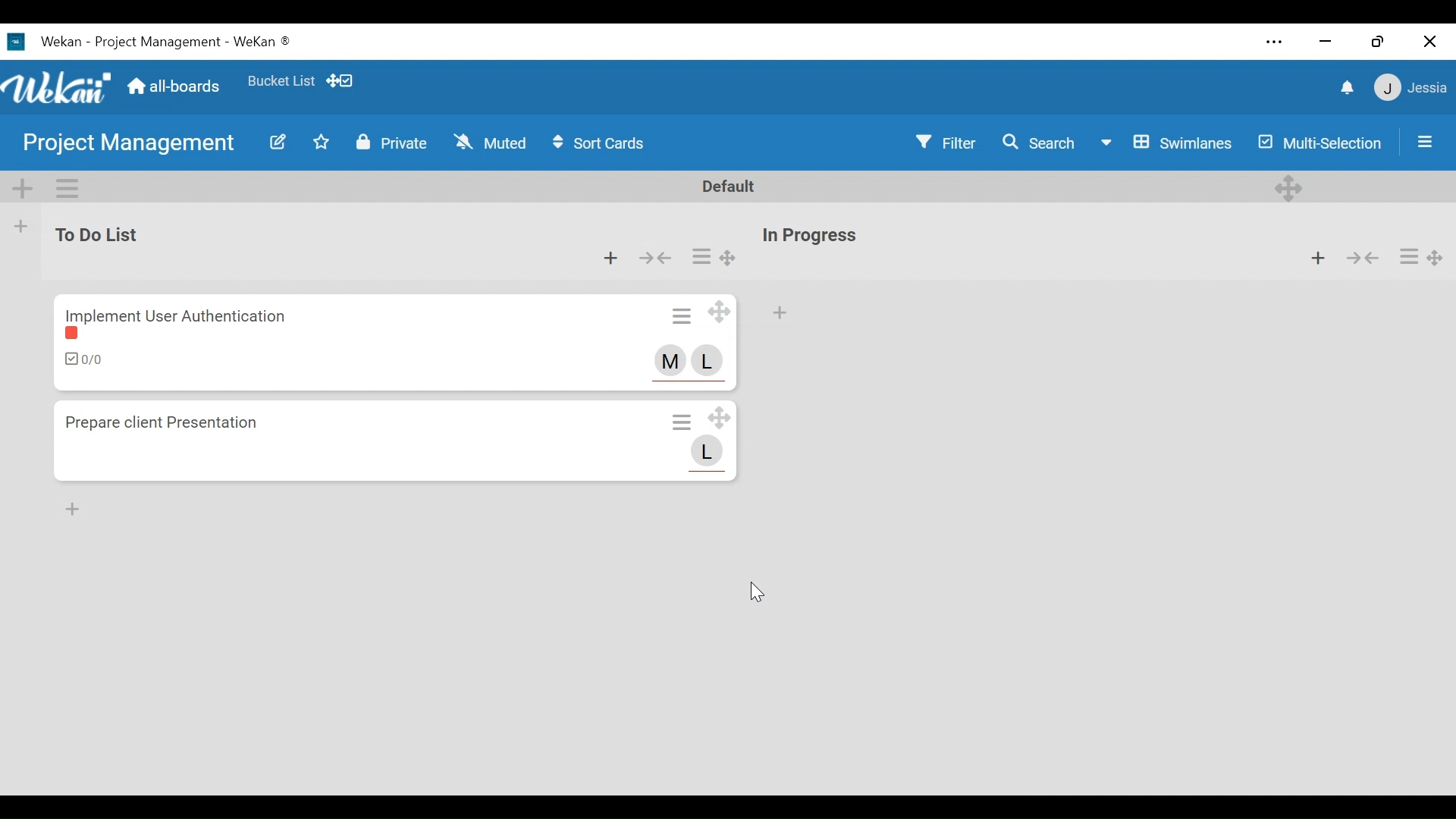 Image resolution: width=1456 pixels, height=819 pixels. What do you see at coordinates (945, 142) in the screenshot?
I see `Filter` at bounding box center [945, 142].